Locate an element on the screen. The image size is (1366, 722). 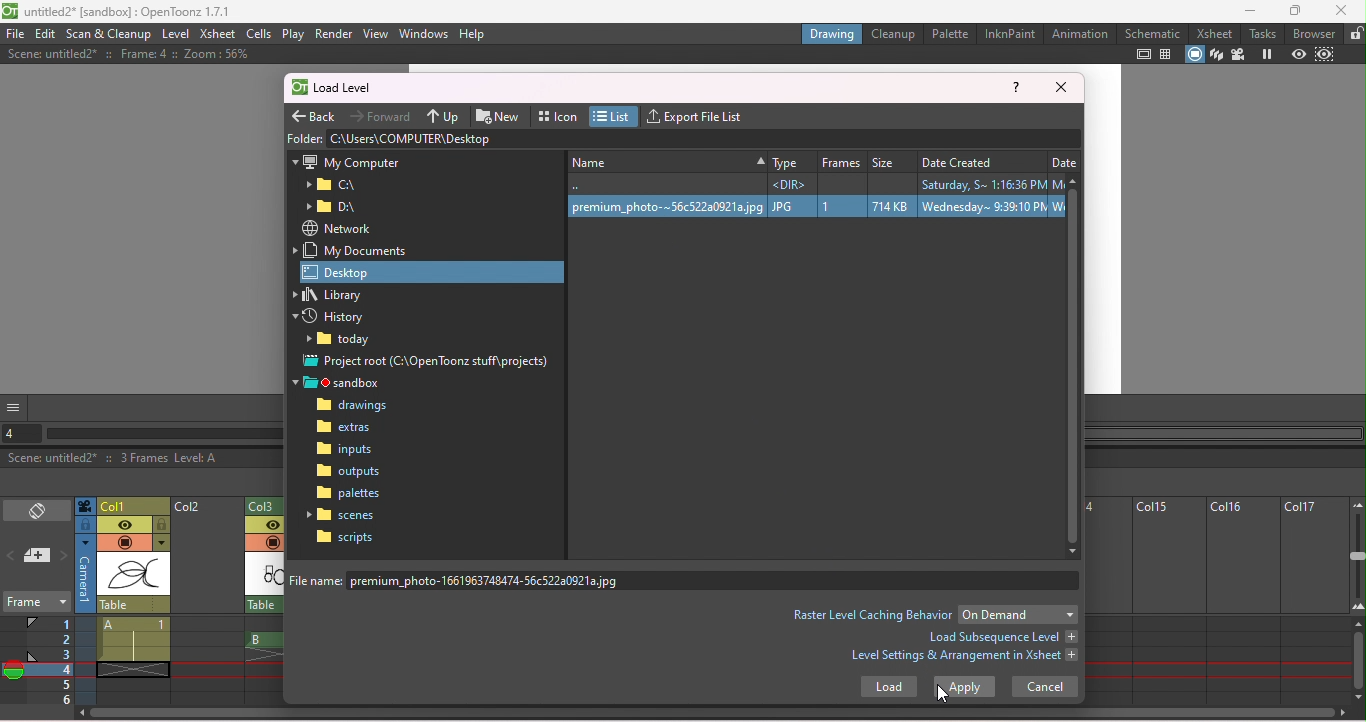
Freeze is located at coordinates (1266, 55).